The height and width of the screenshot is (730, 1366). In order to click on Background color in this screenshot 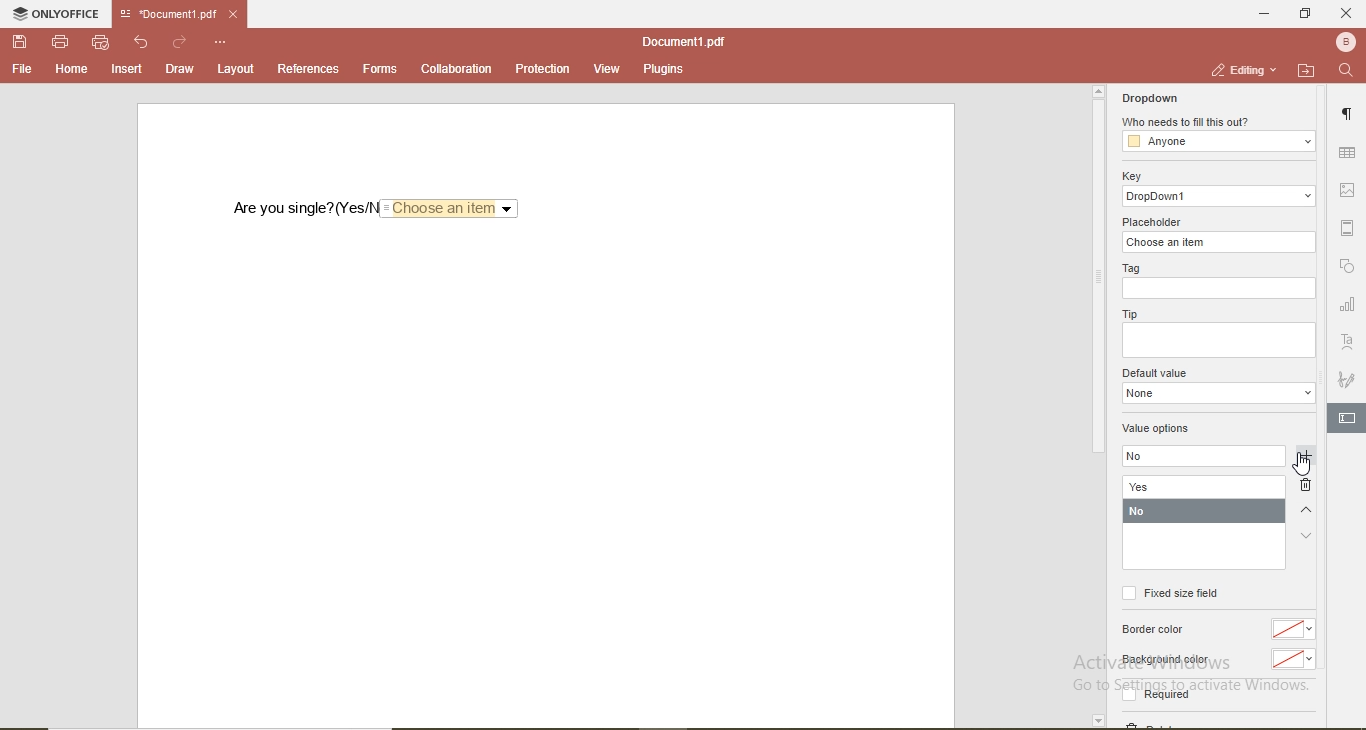, I will do `click(1163, 659)`.